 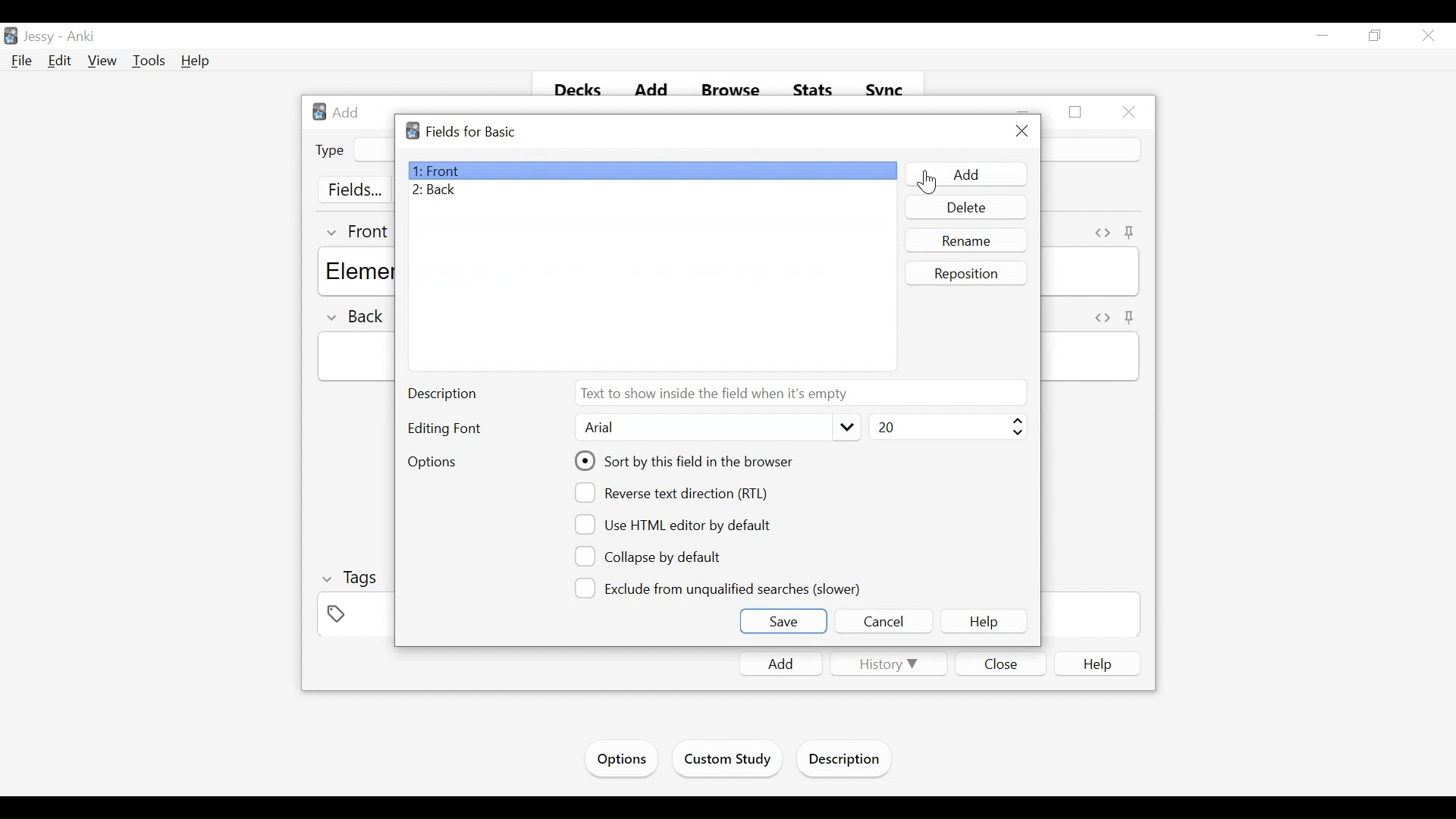 What do you see at coordinates (81, 37) in the screenshot?
I see `Anki` at bounding box center [81, 37].